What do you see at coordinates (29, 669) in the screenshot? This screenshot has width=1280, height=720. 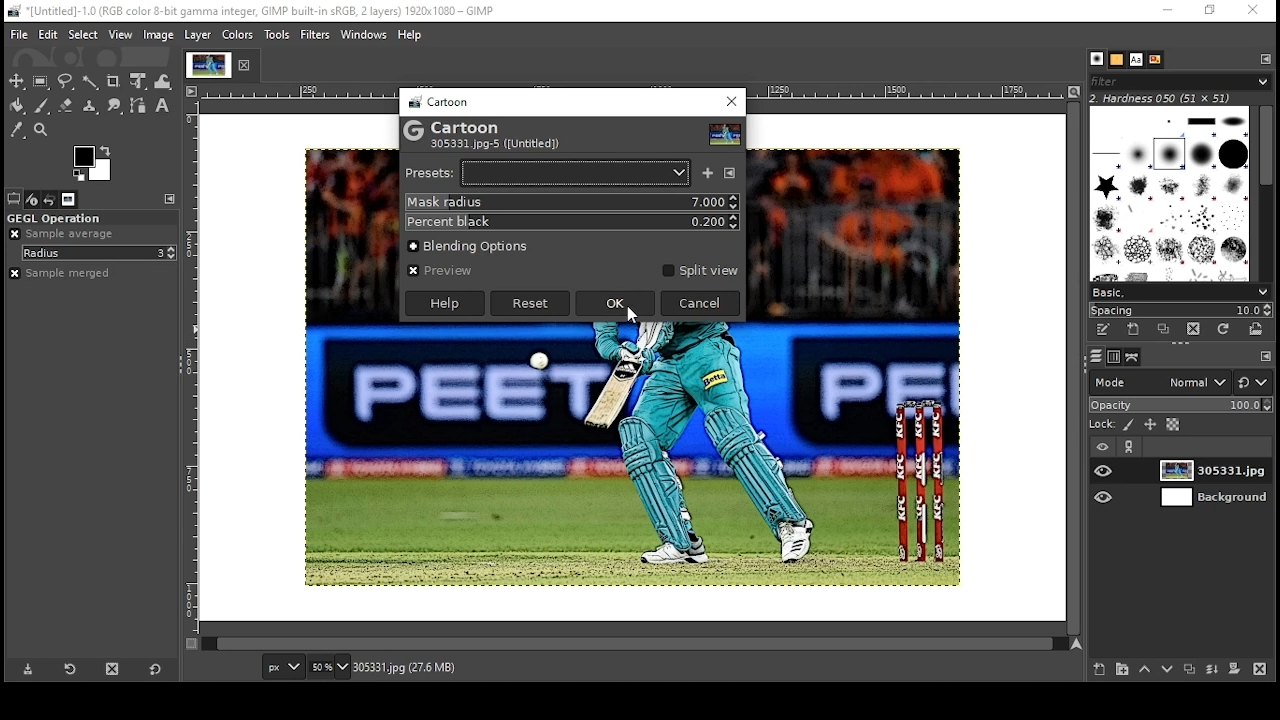 I see `save tool preset` at bounding box center [29, 669].